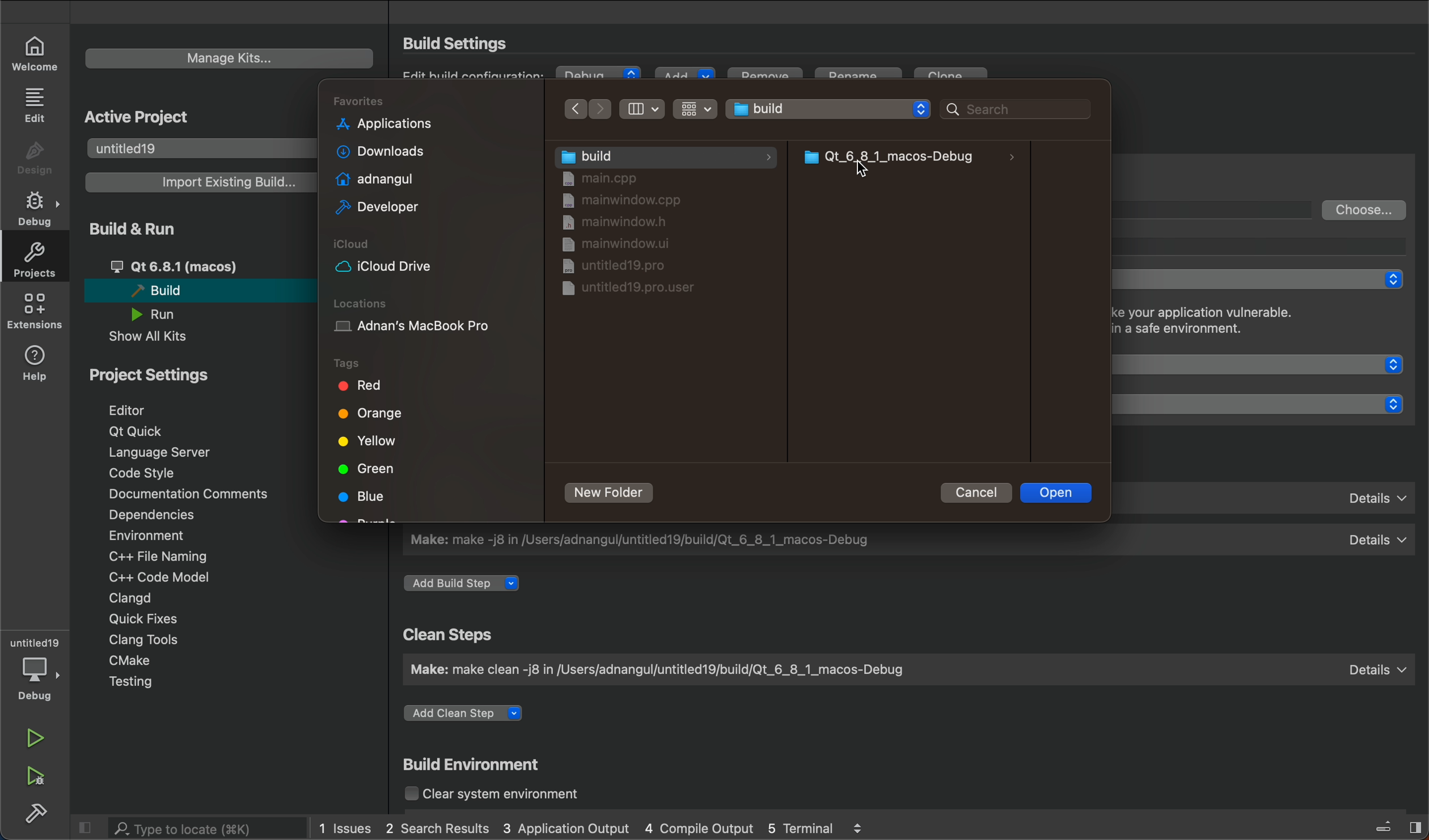 This screenshot has height=840, width=1429. What do you see at coordinates (197, 182) in the screenshot?
I see `import existing build` at bounding box center [197, 182].